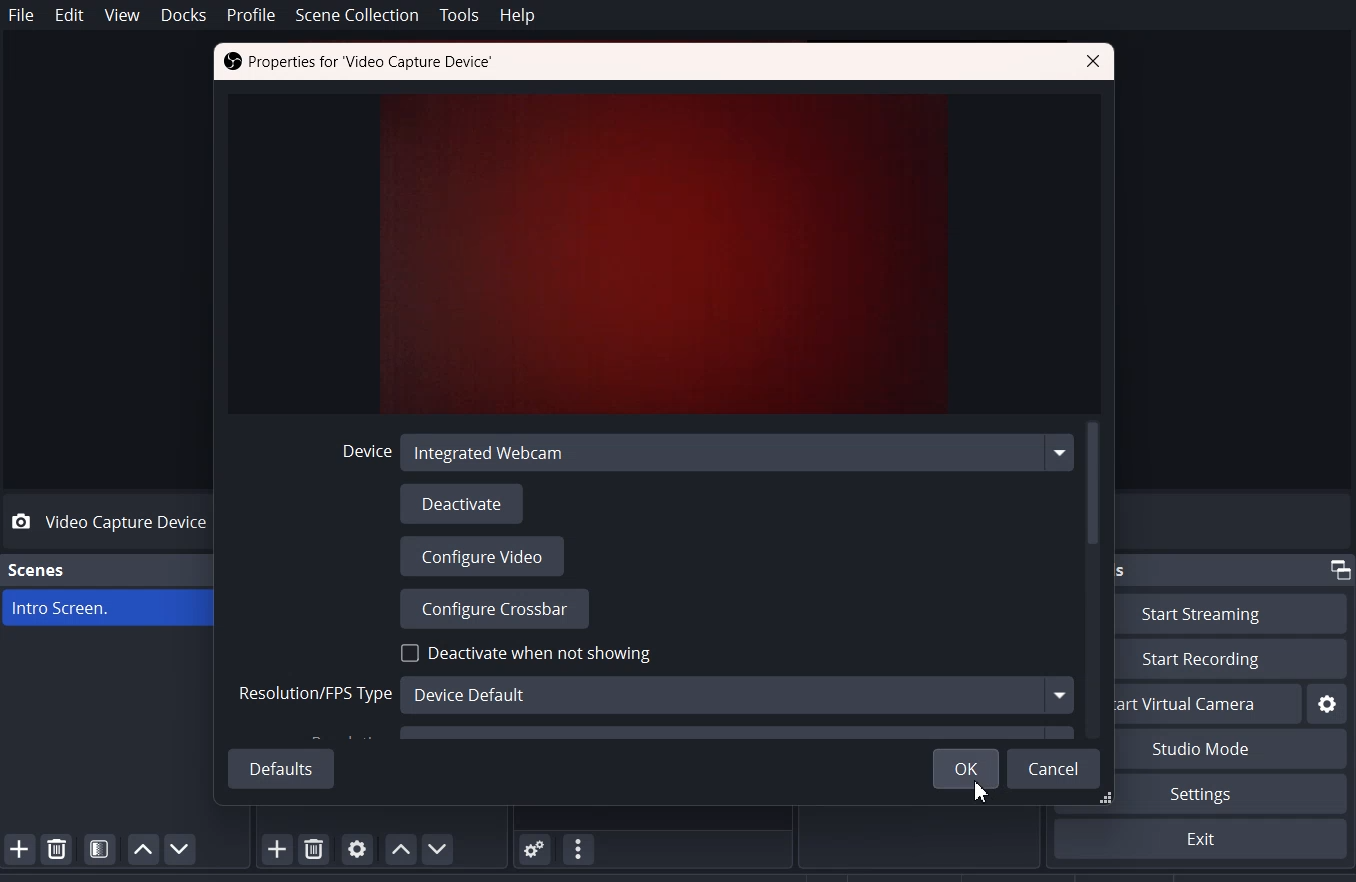 Image resolution: width=1356 pixels, height=882 pixels. I want to click on Remove Selected Source, so click(314, 849).